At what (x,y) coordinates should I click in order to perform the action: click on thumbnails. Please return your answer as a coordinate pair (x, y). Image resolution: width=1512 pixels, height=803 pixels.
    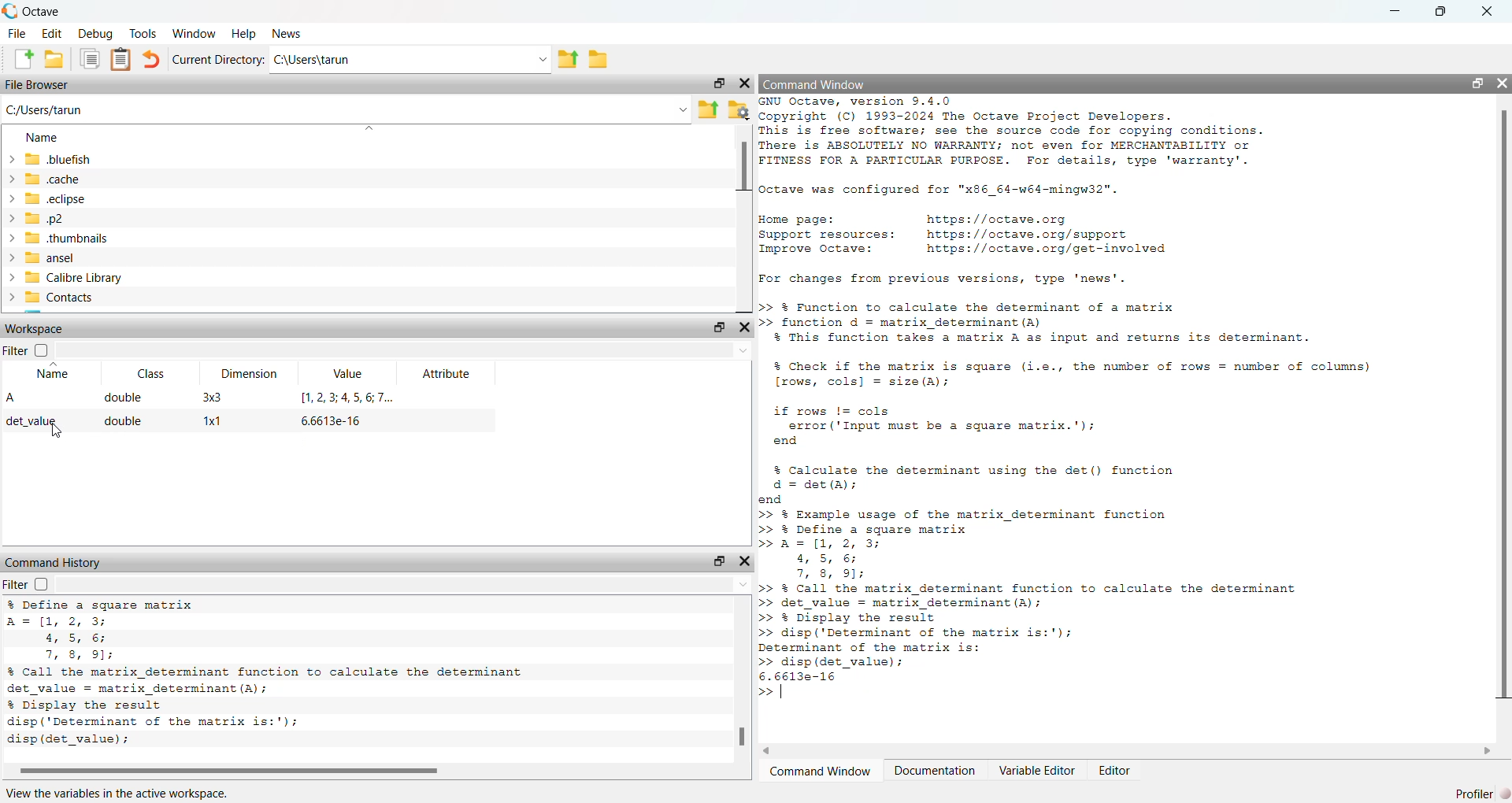
    Looking at the image, I should click on (61, 238).